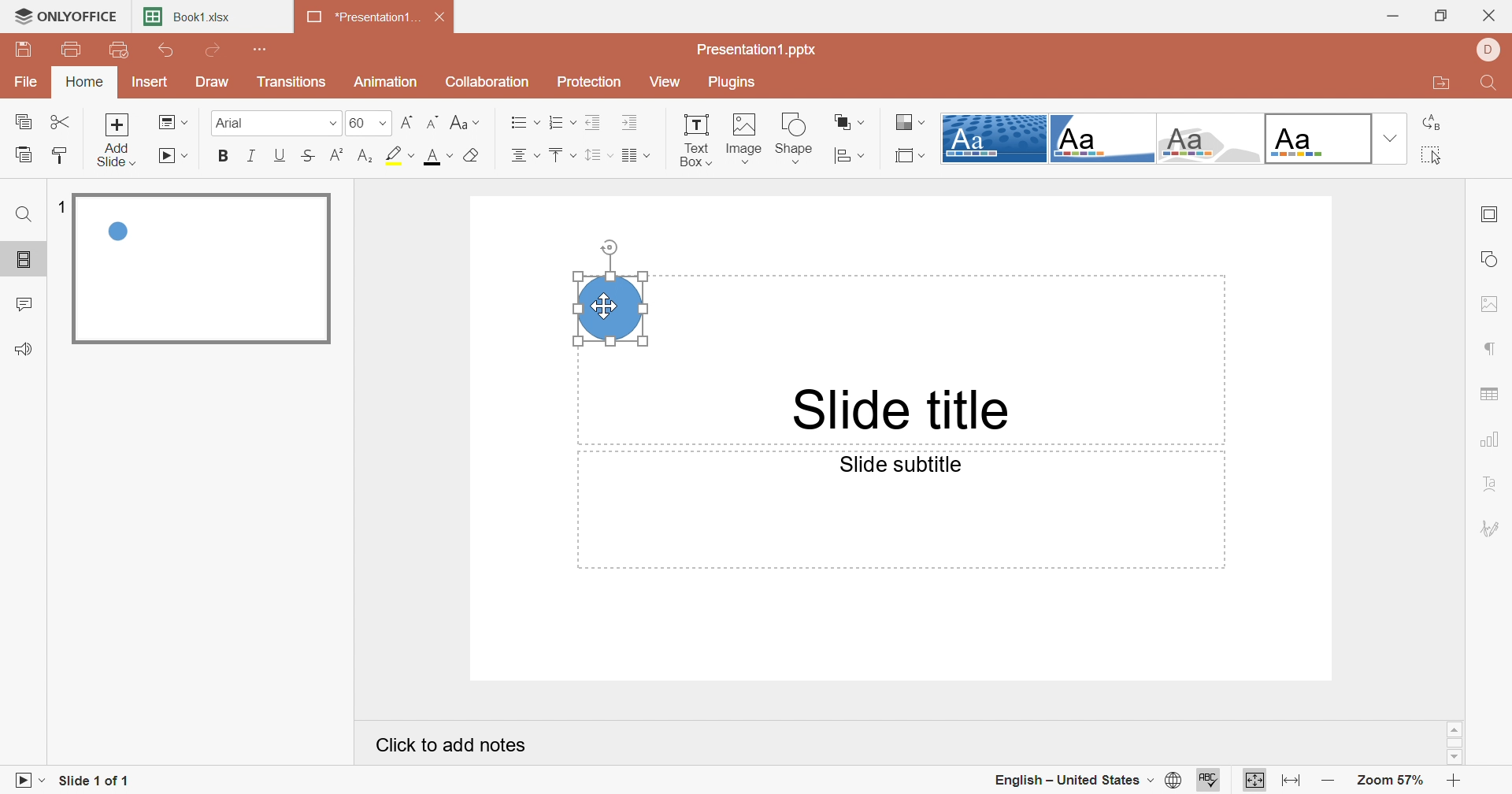 This screenshot has width=1512, height=794. I want to click on Italic, so click(253, 158).